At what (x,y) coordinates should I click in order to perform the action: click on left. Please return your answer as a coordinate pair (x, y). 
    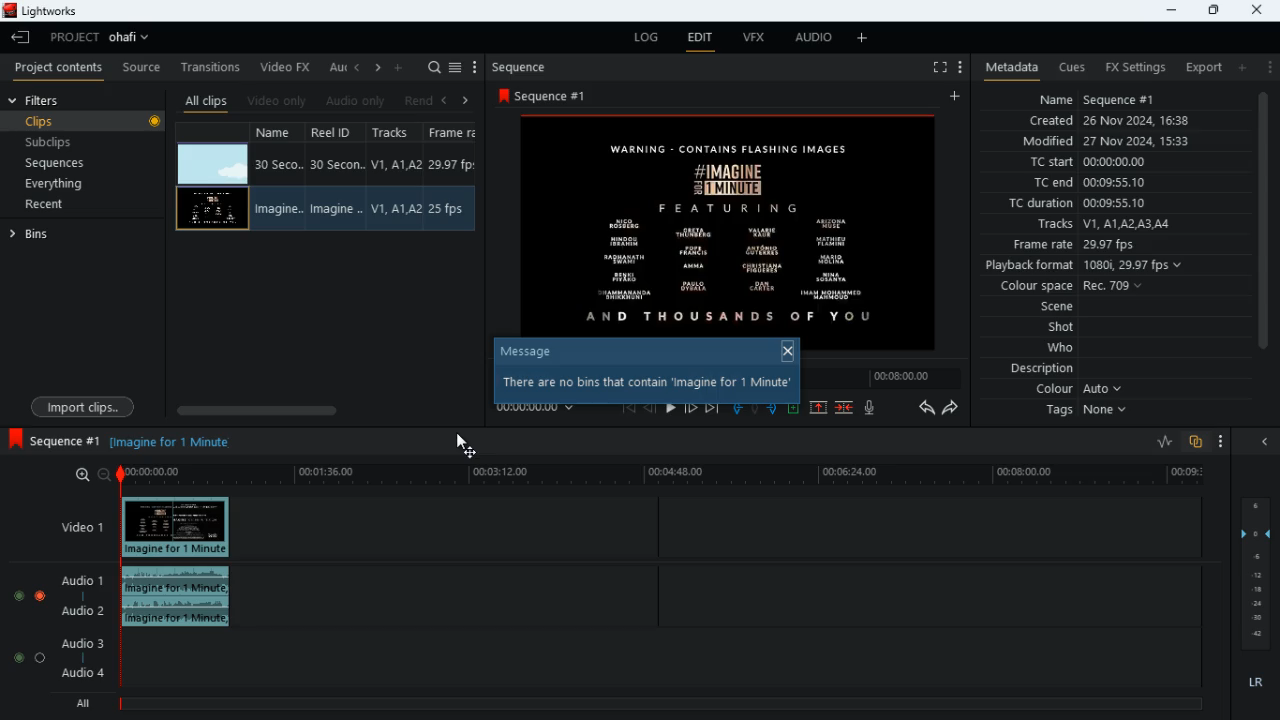
    Looking at the image, I should click on (360, 69).